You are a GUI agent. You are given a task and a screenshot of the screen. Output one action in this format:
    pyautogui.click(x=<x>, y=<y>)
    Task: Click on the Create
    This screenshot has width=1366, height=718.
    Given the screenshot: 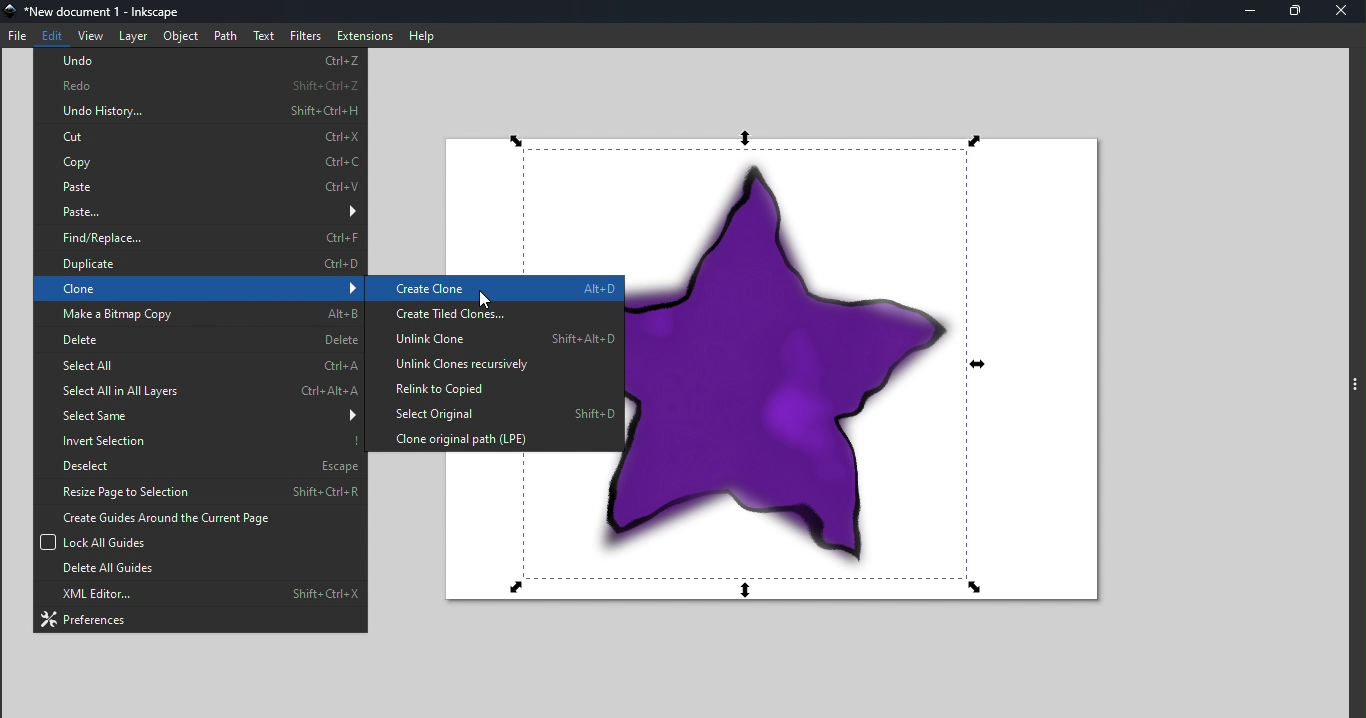 What is the action you would take?
    pyautogui.click(x=495, y=289)
    